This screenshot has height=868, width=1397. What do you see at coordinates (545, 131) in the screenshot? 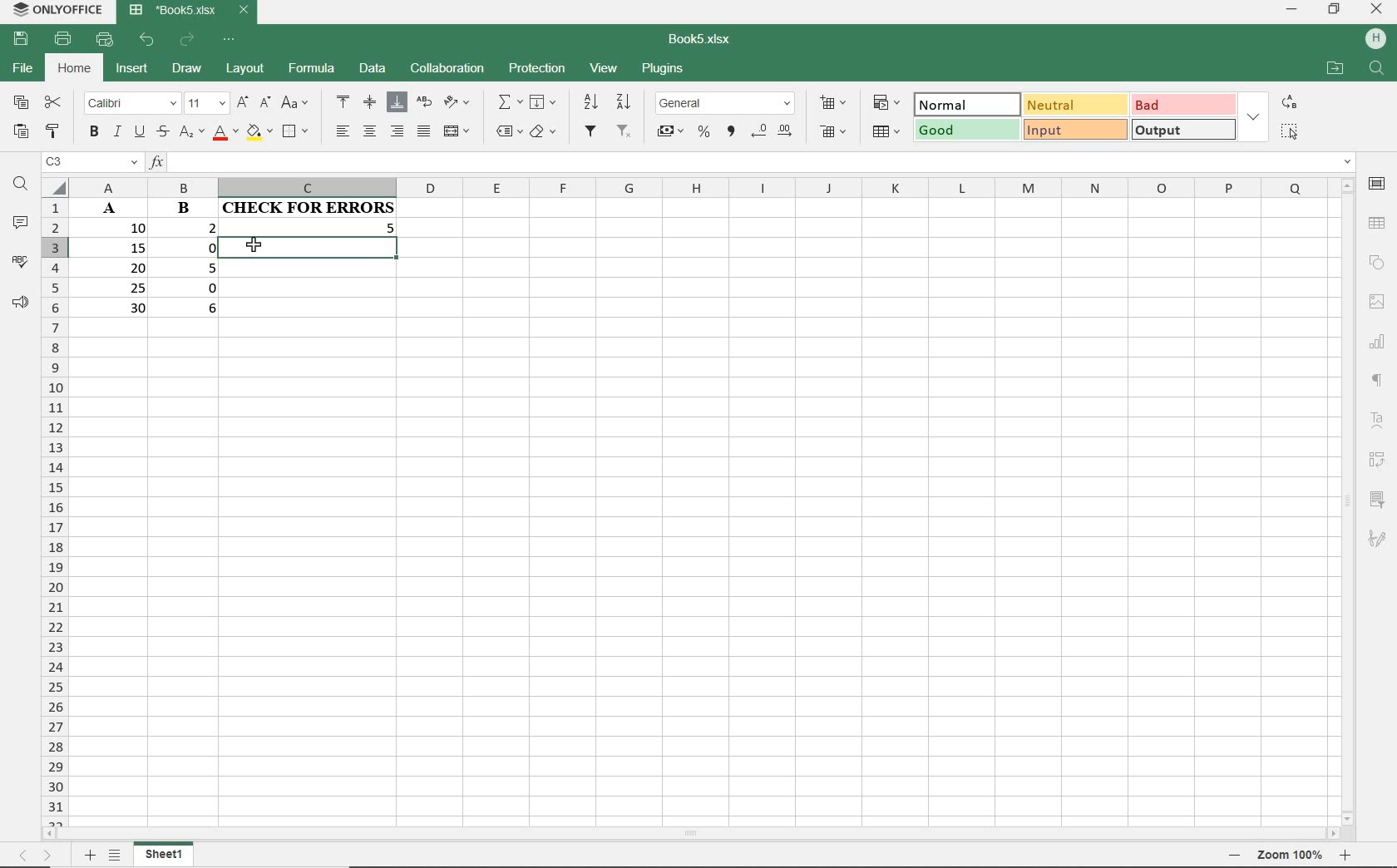
I see `CLEAR` at bounding box center [545, 131].